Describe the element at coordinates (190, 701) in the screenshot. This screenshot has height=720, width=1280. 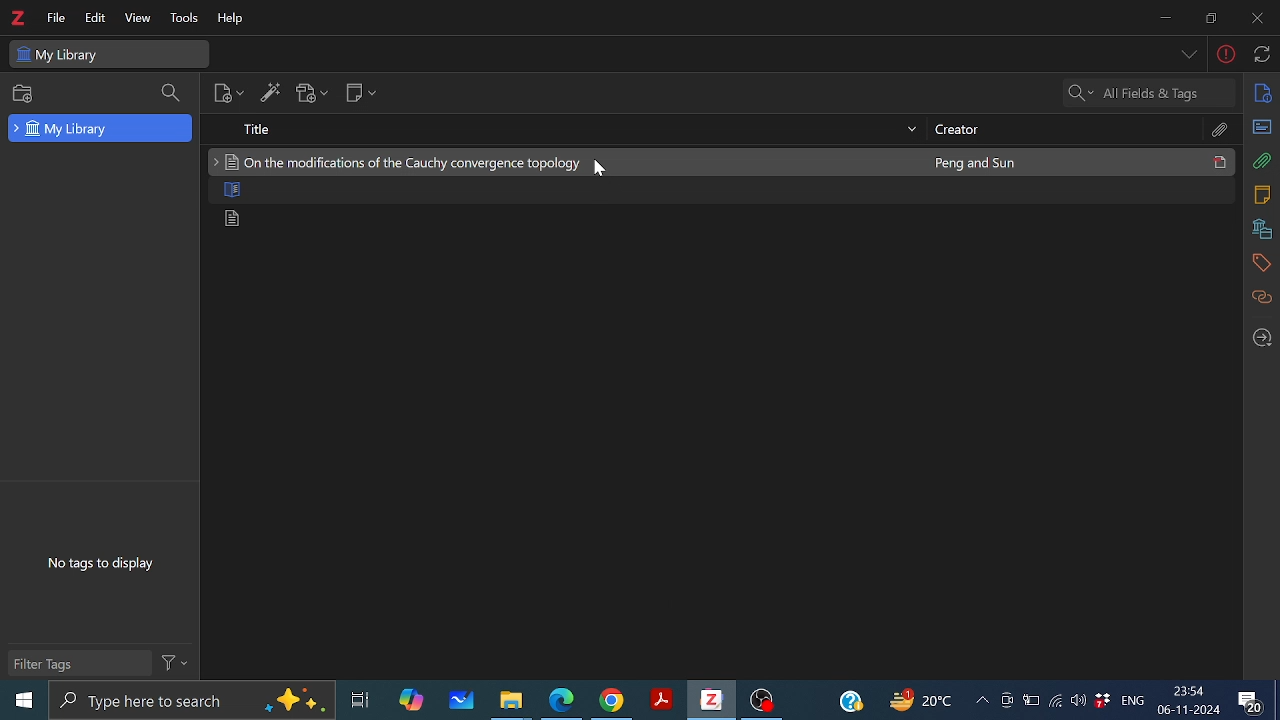
I see `Type here to serach` at that location.